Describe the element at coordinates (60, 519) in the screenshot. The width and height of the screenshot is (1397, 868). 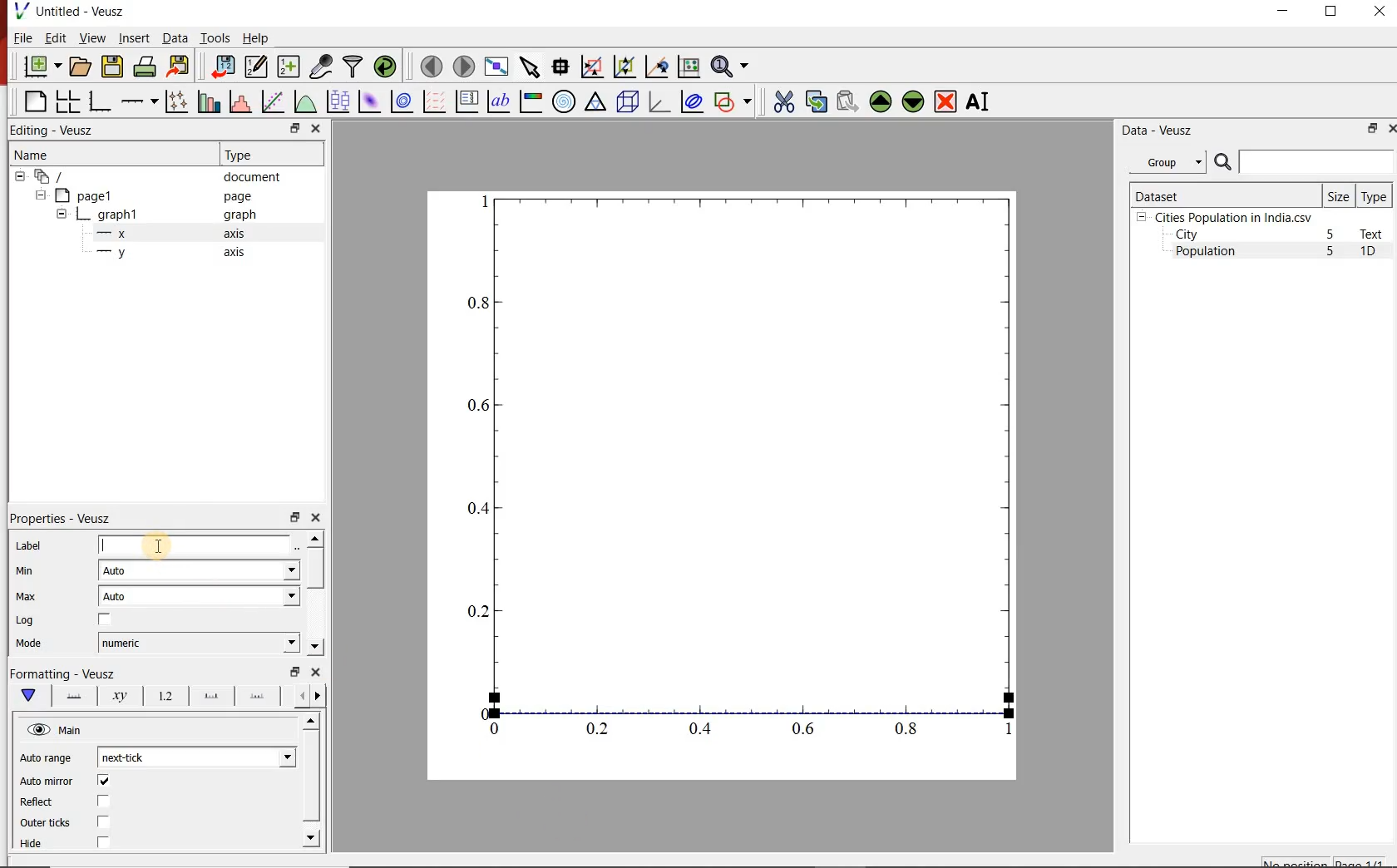
I see `Properties - Veusz` at that location.